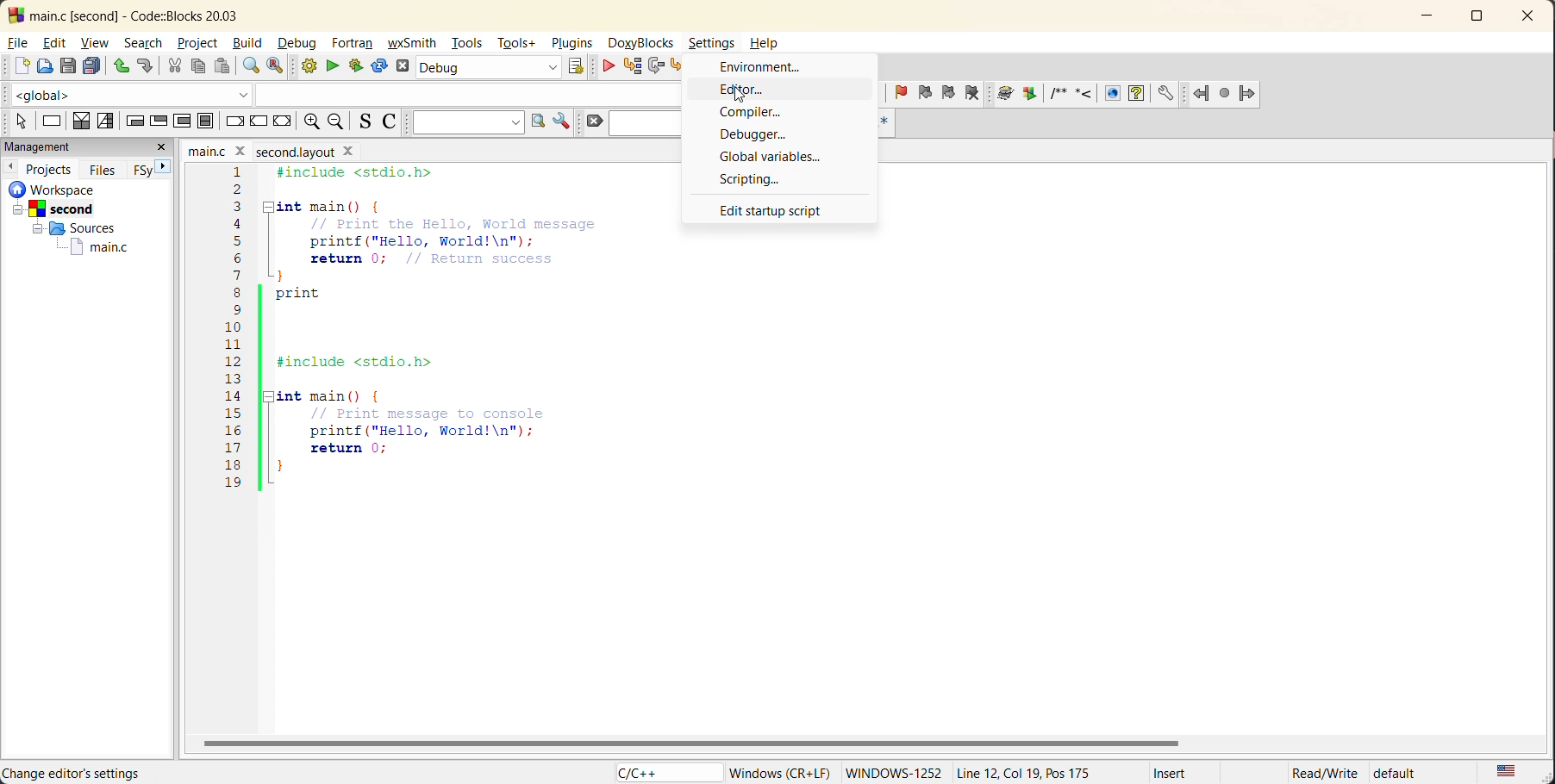 This screenshot has width=1555, height=784. I want to click on counting loop, so click(182, 122).